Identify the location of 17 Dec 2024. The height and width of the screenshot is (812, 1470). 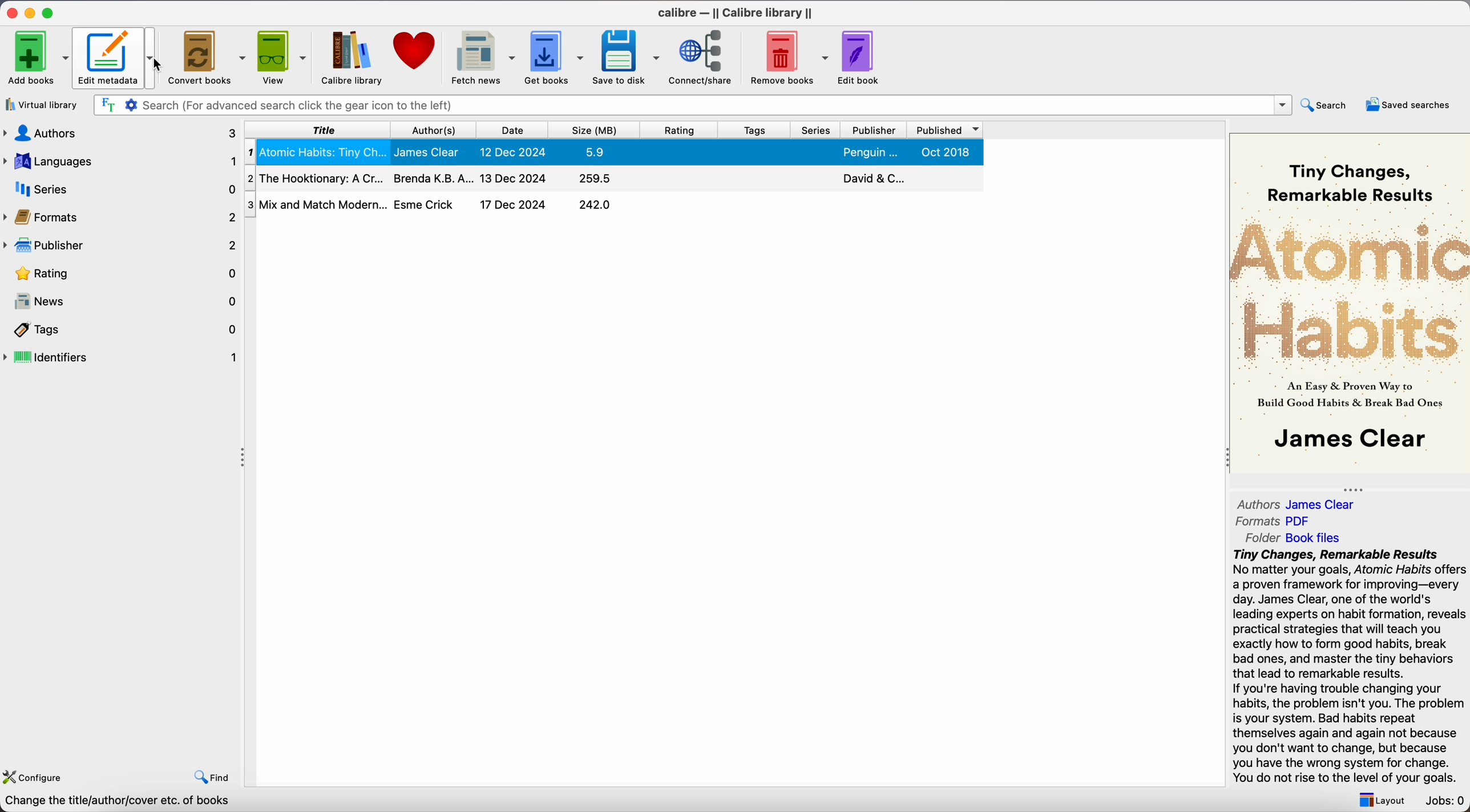
(513, 204).